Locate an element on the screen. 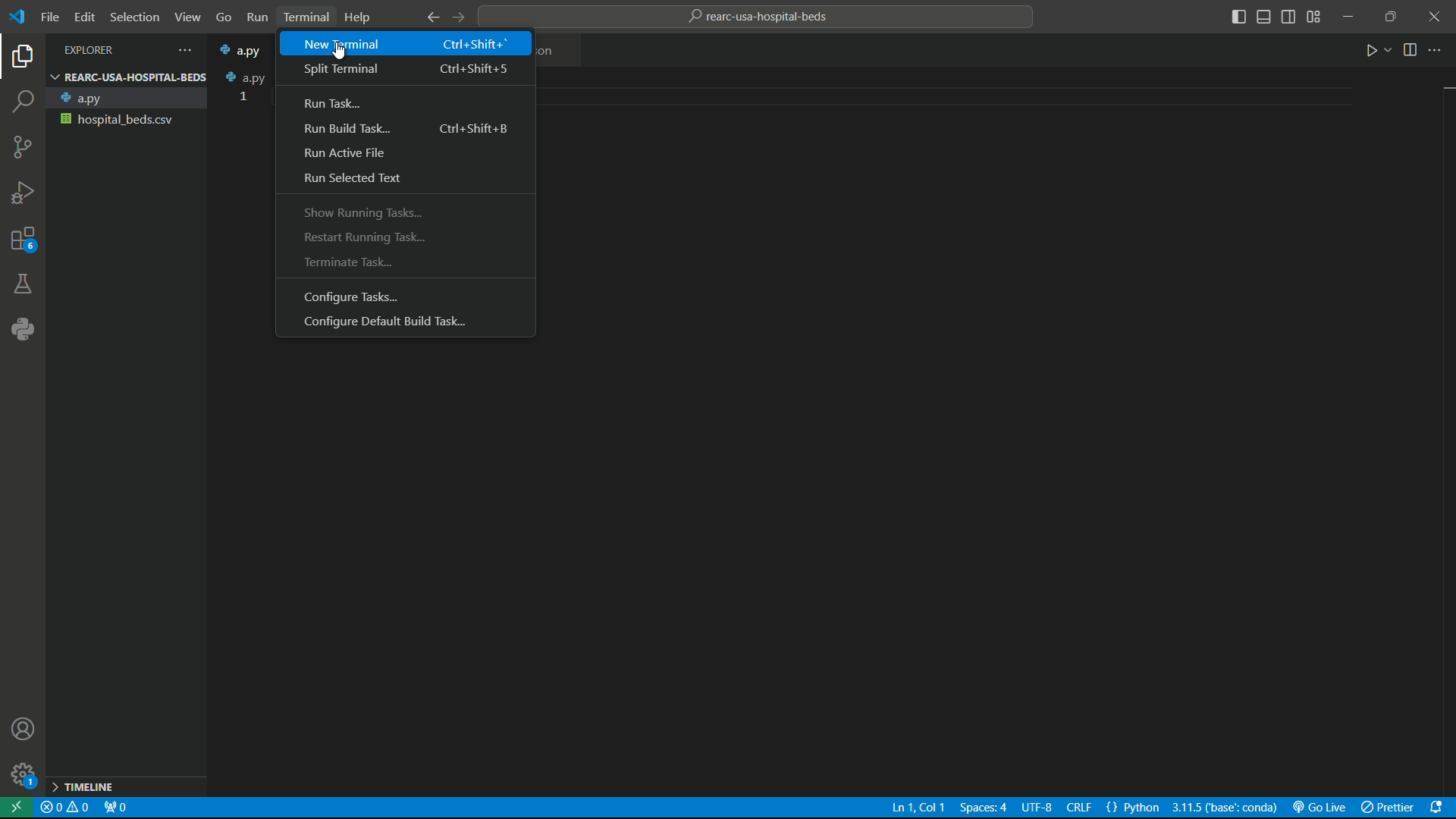 This screenshot has height=819, width=1456. notification is located at coordinates (1442, 810).